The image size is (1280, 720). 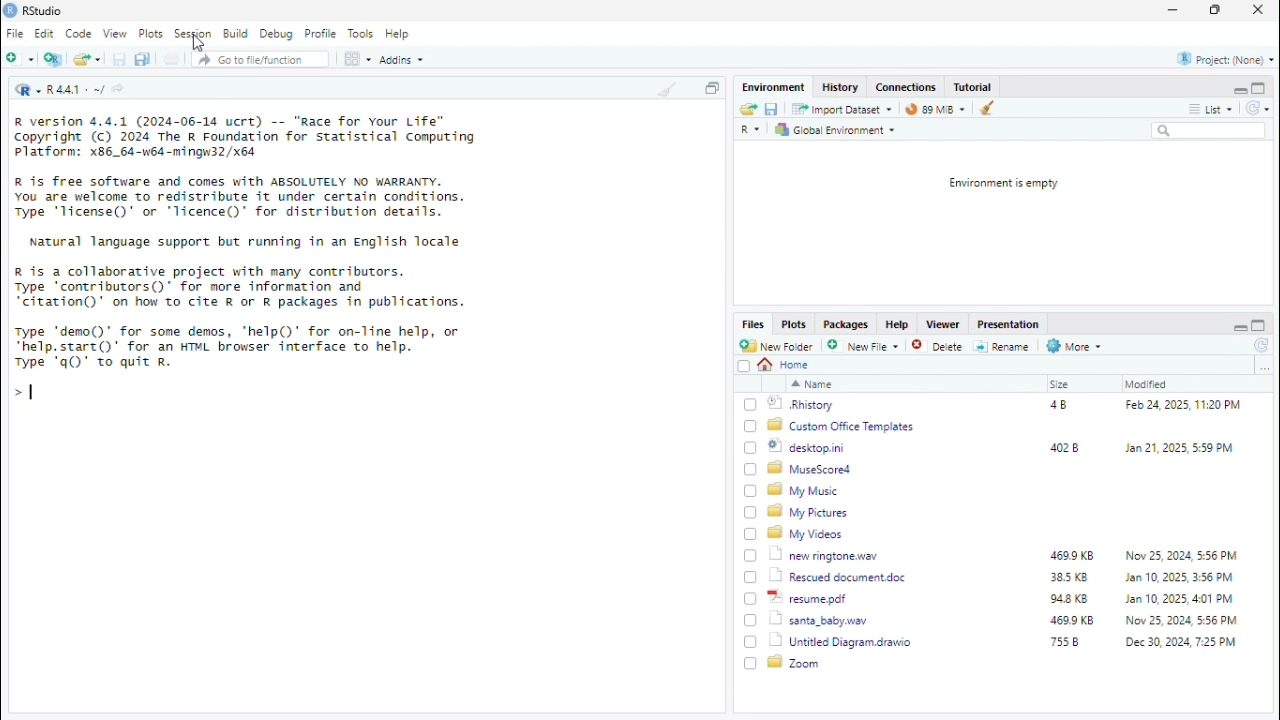 What do you see at coordinates (1259, 87) in the screenshot?
I see `maximise` at bounding box center [1259, 87].